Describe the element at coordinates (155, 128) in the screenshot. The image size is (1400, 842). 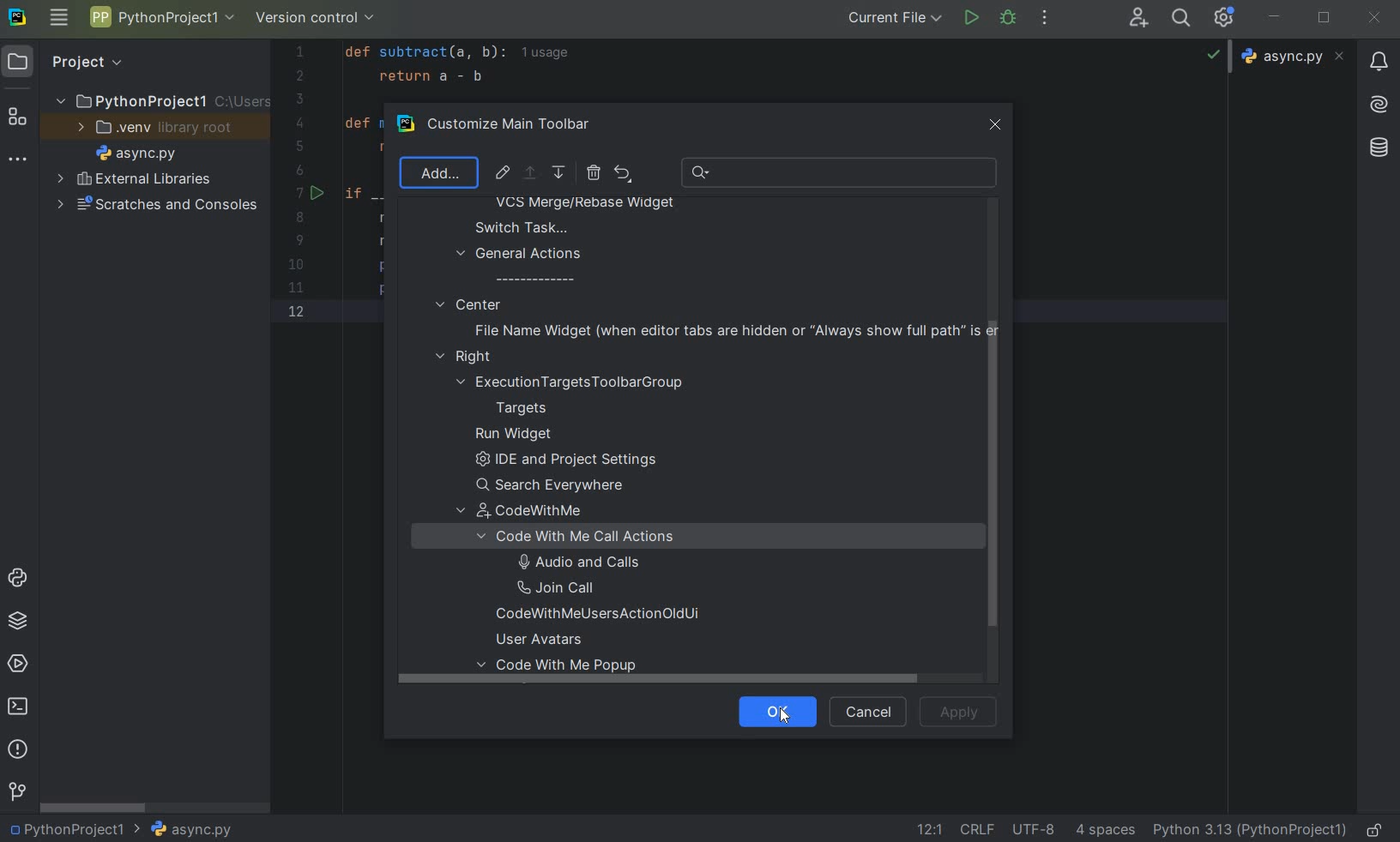
I see `.VENV` at that location.